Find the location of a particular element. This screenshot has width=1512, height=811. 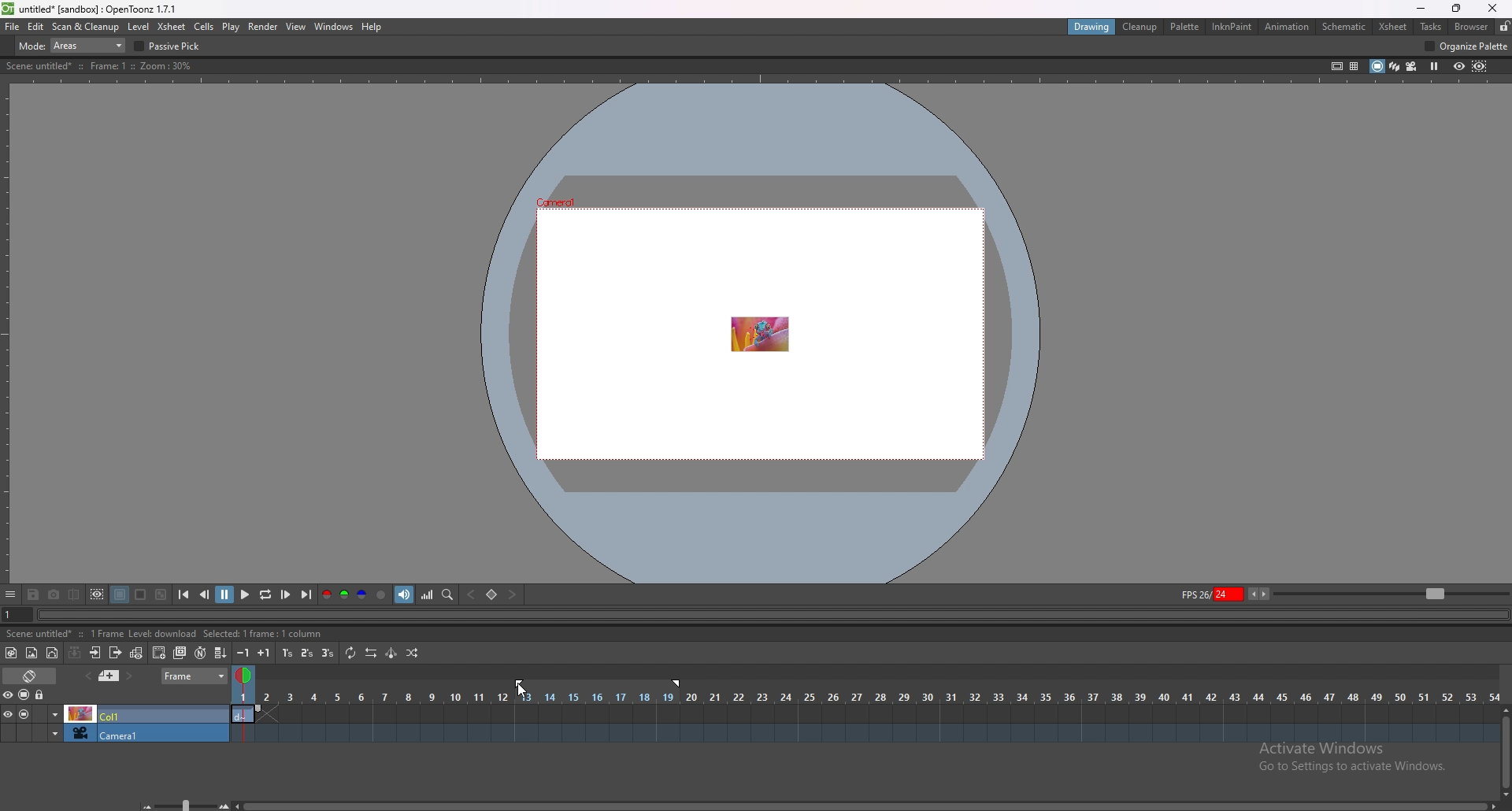

lock is located at coordinates (41, 694).